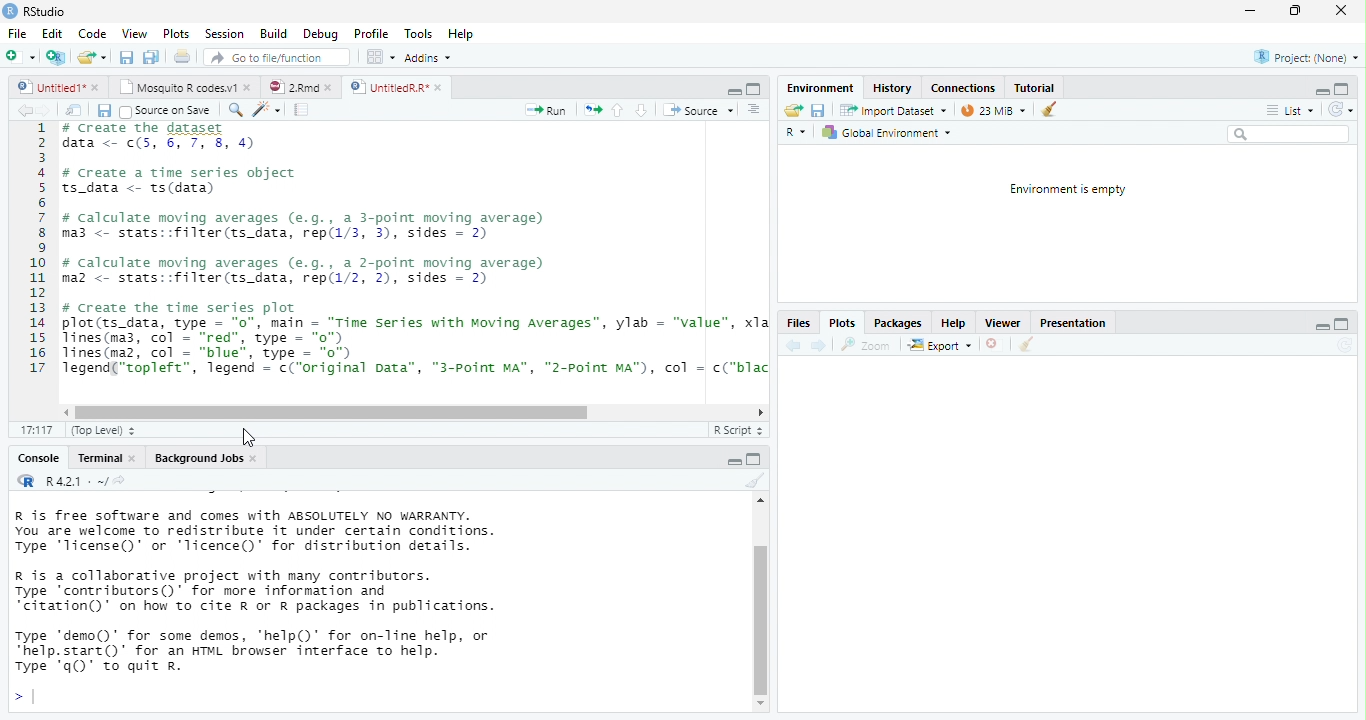  Describe the element at coordinates (16, 34) in the screenshot. I see `File` at that location.